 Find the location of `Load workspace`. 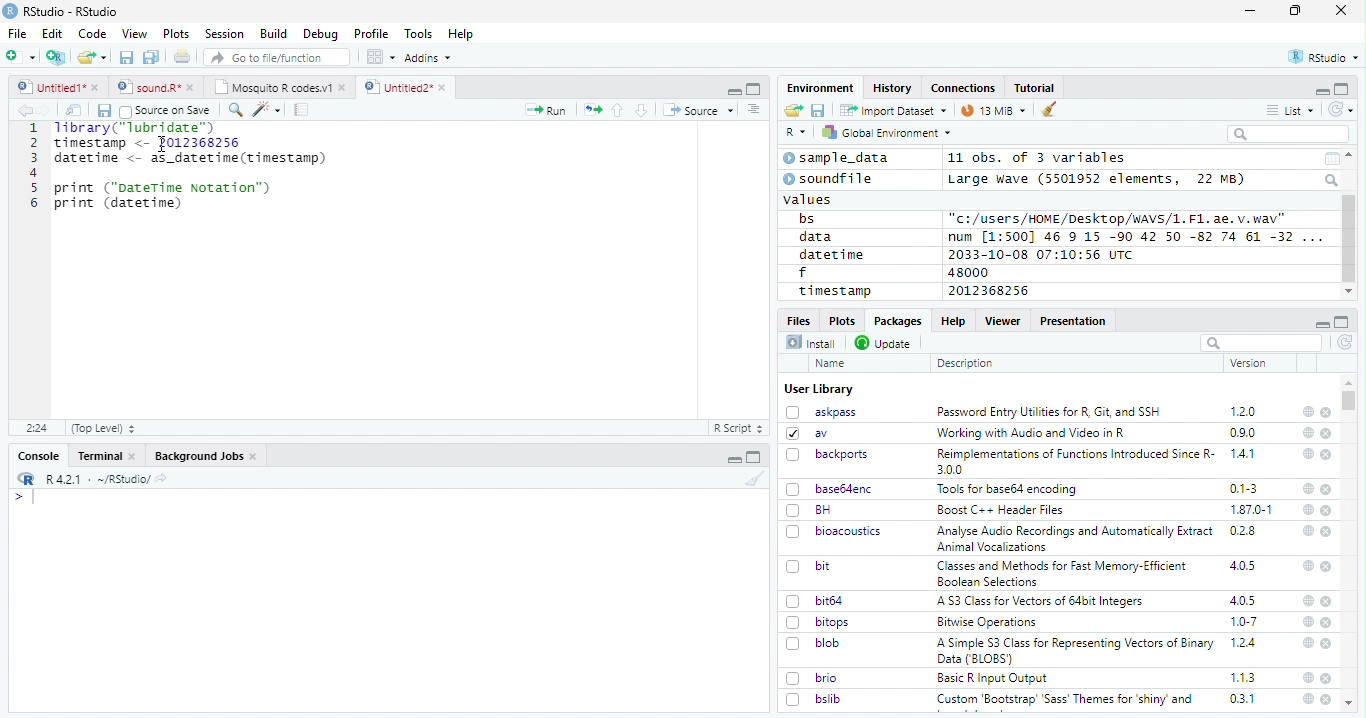

Load workspace is located at coordinates (794, 111).